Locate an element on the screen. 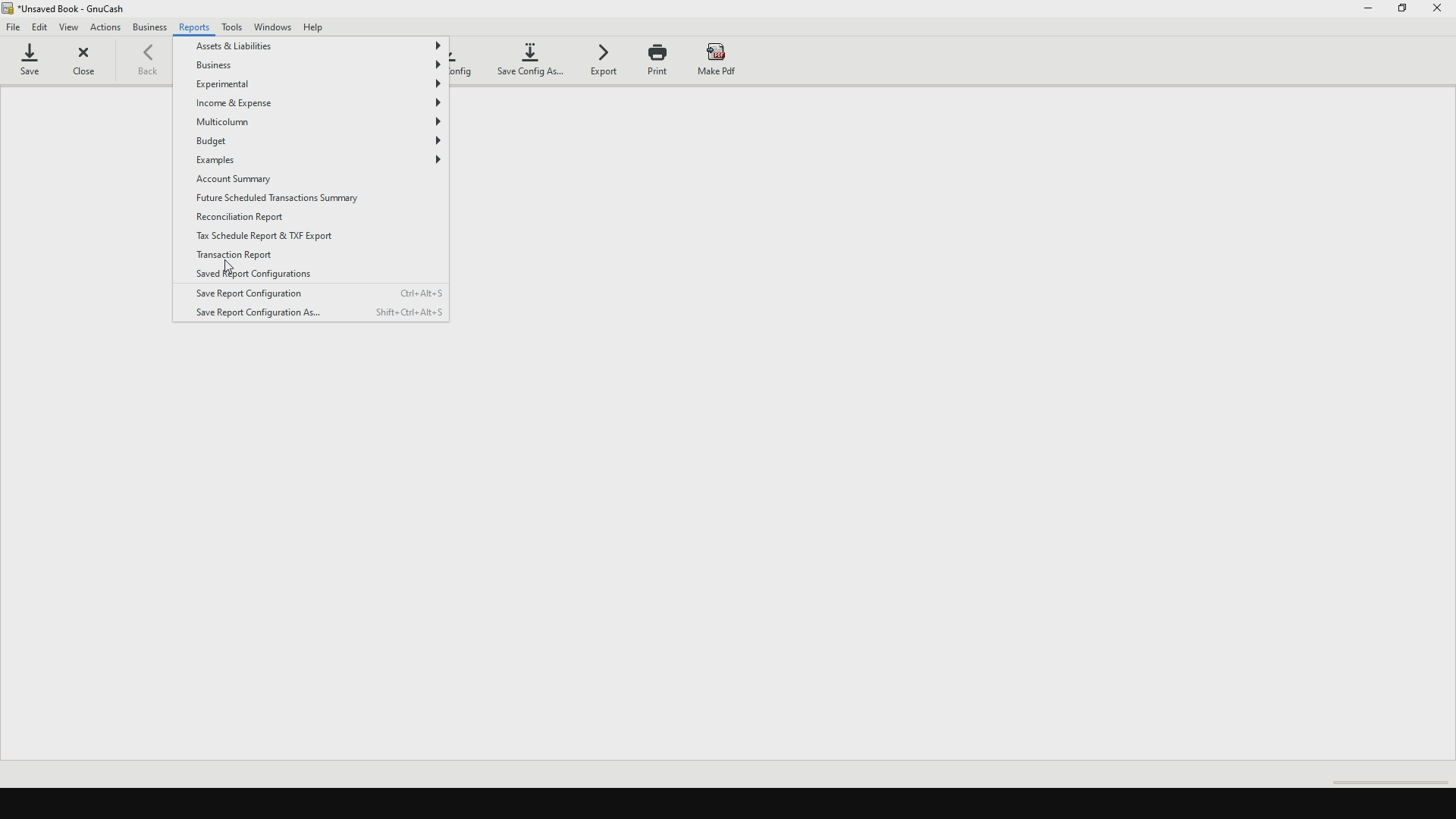 The width and height of the screenshot is (1456, 819). edit is located at coordinates (42, 27).